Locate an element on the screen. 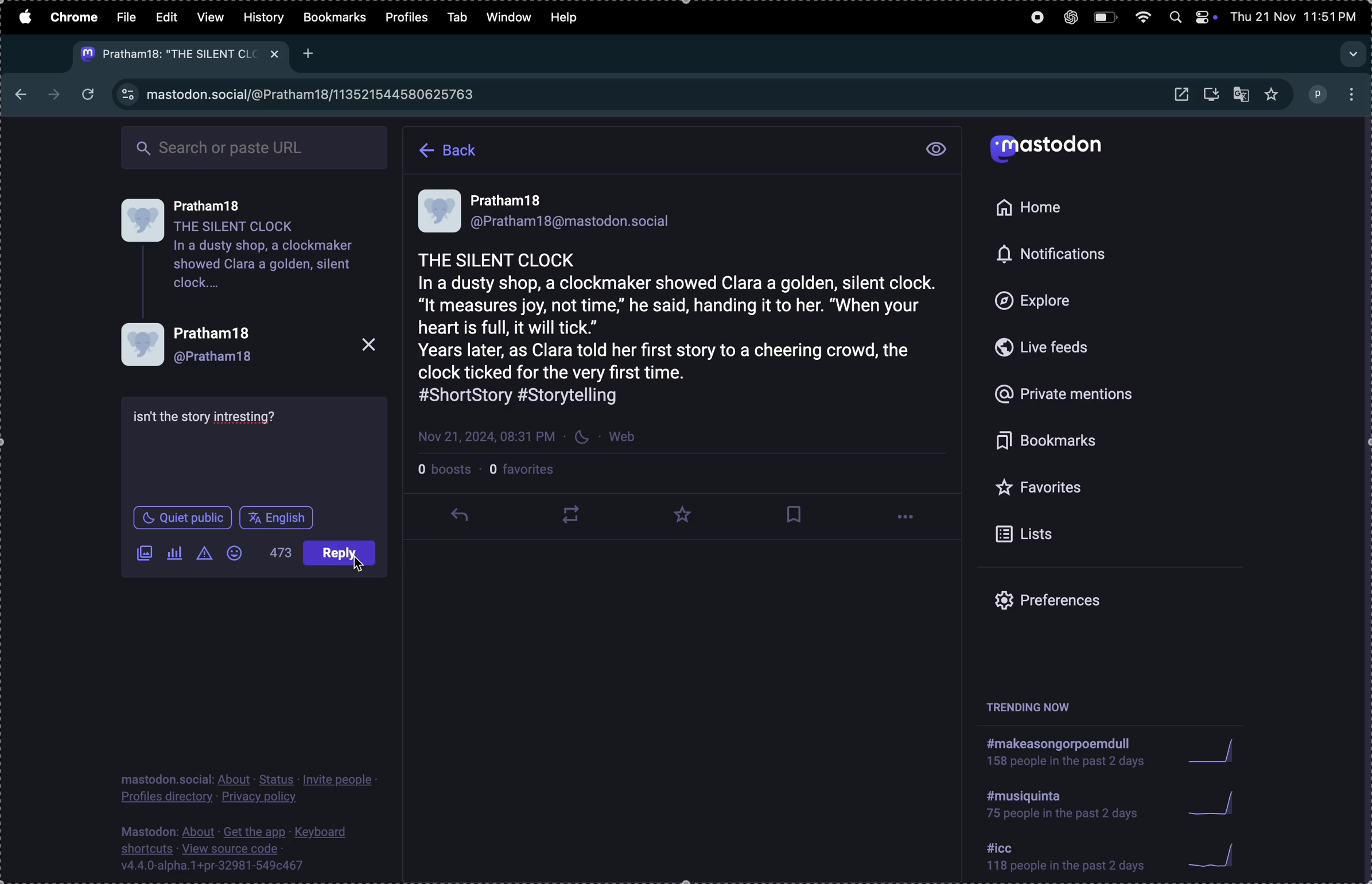 This screenshot has width=1372, height=884. translate is located at coordinates (1243, 93).